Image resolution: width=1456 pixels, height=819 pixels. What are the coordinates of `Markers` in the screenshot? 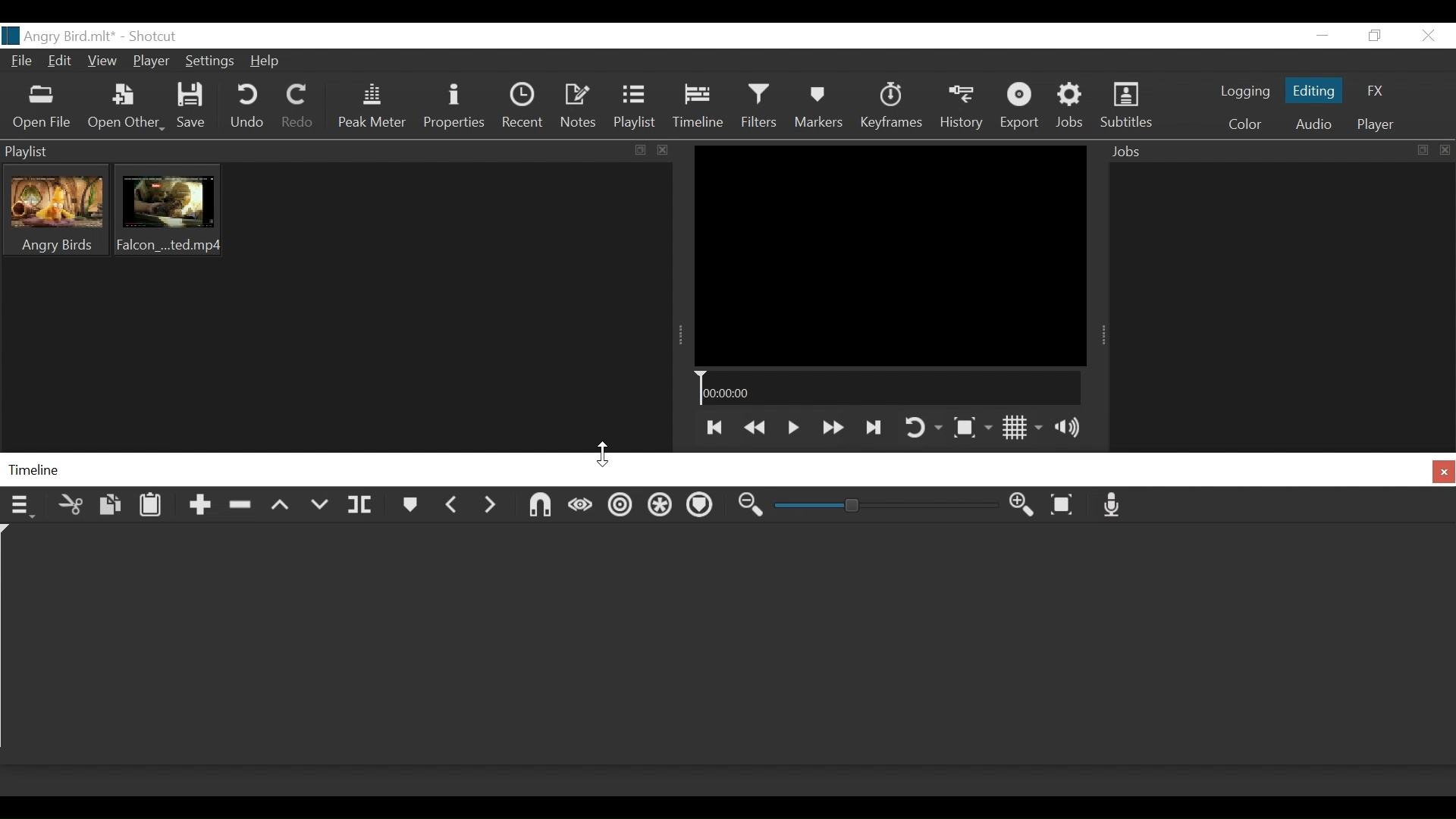 It's located at (408, 507).